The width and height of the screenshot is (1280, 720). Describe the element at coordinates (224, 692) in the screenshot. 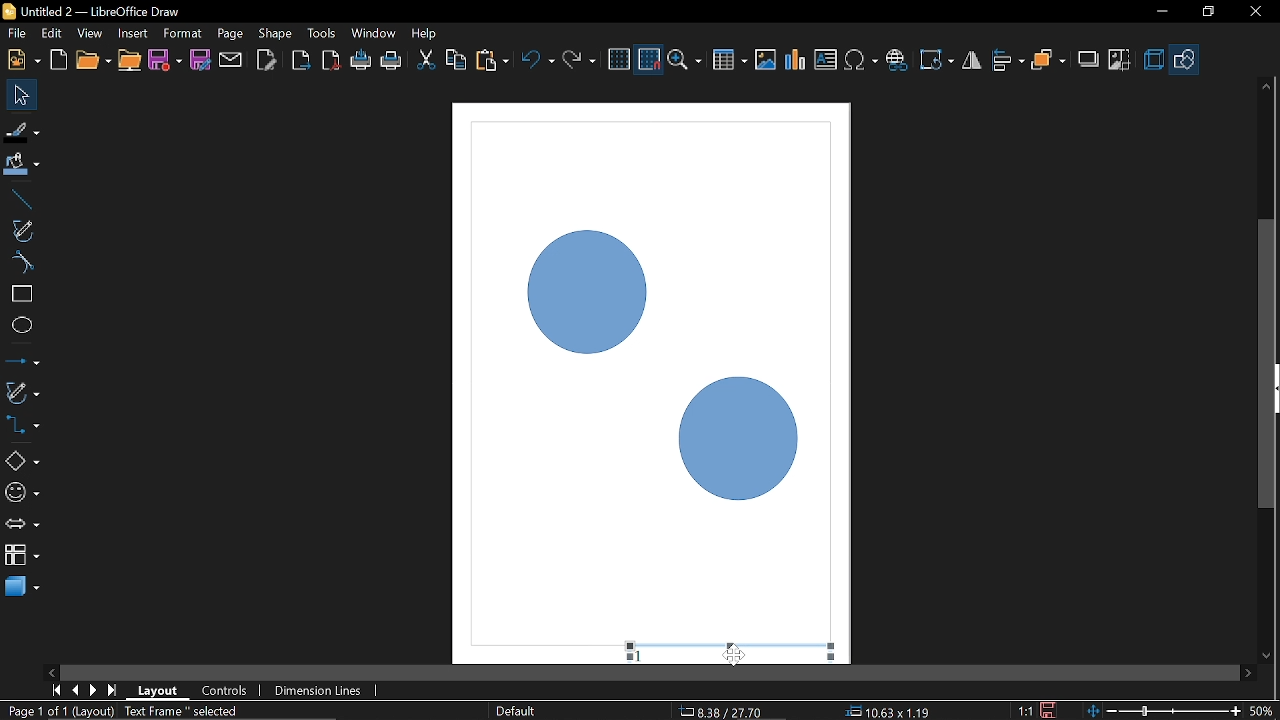

I see `Controls` at that location.